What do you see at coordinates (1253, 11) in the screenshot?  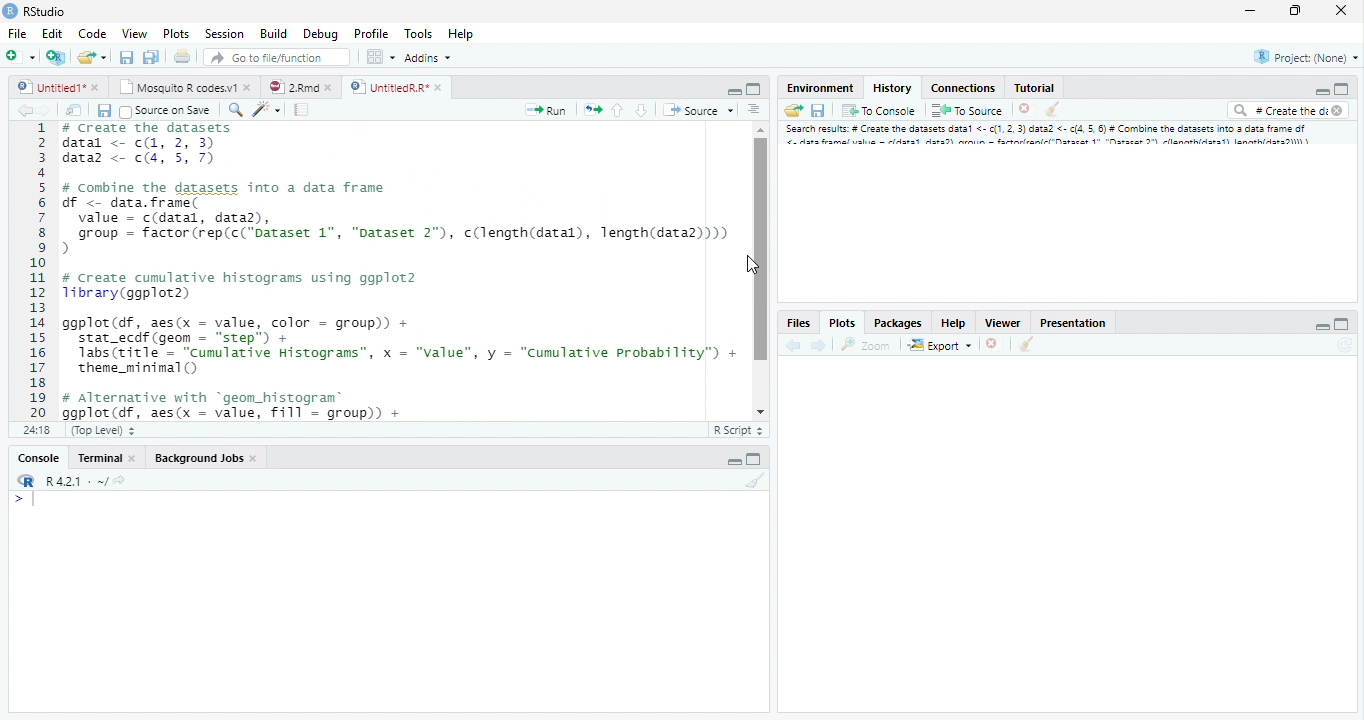 I see `Minimize` at bounding box center [1253, 11].